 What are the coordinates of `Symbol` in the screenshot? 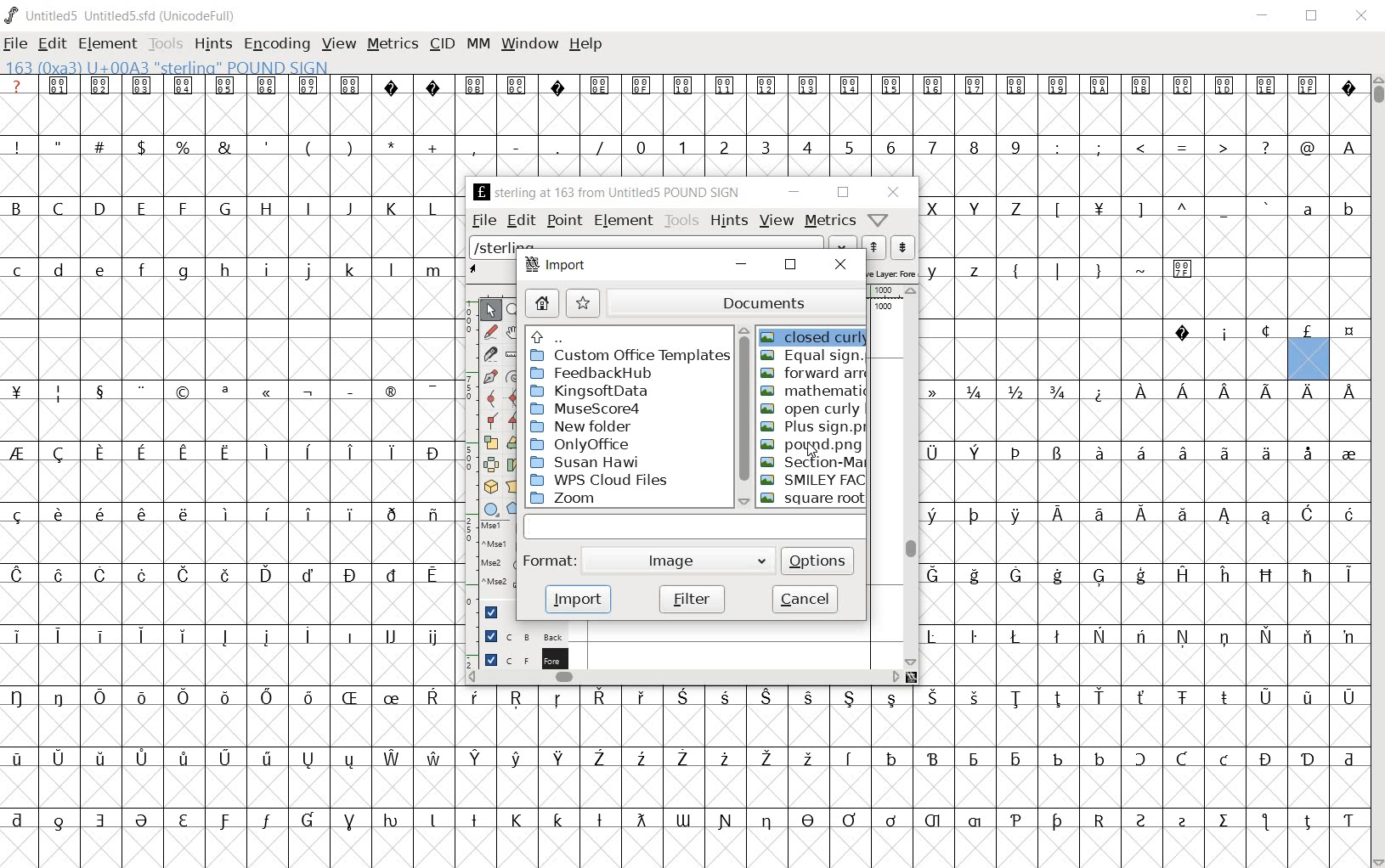 It's located at (432, 821).